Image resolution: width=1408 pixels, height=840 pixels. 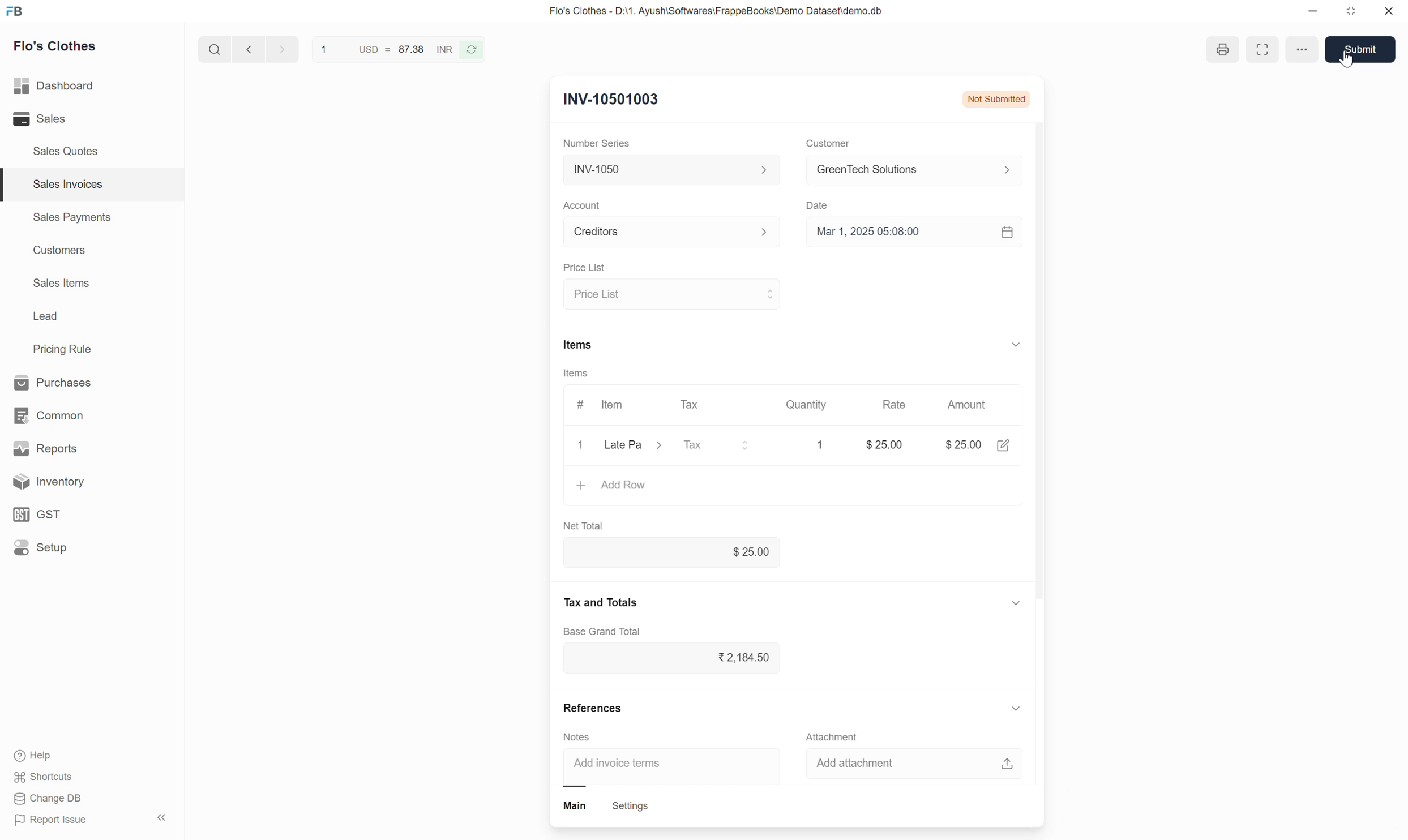 What do you see at coordinates (82, 551) in the screenshot?
I see `Setup` at bounding box center [82, 551].